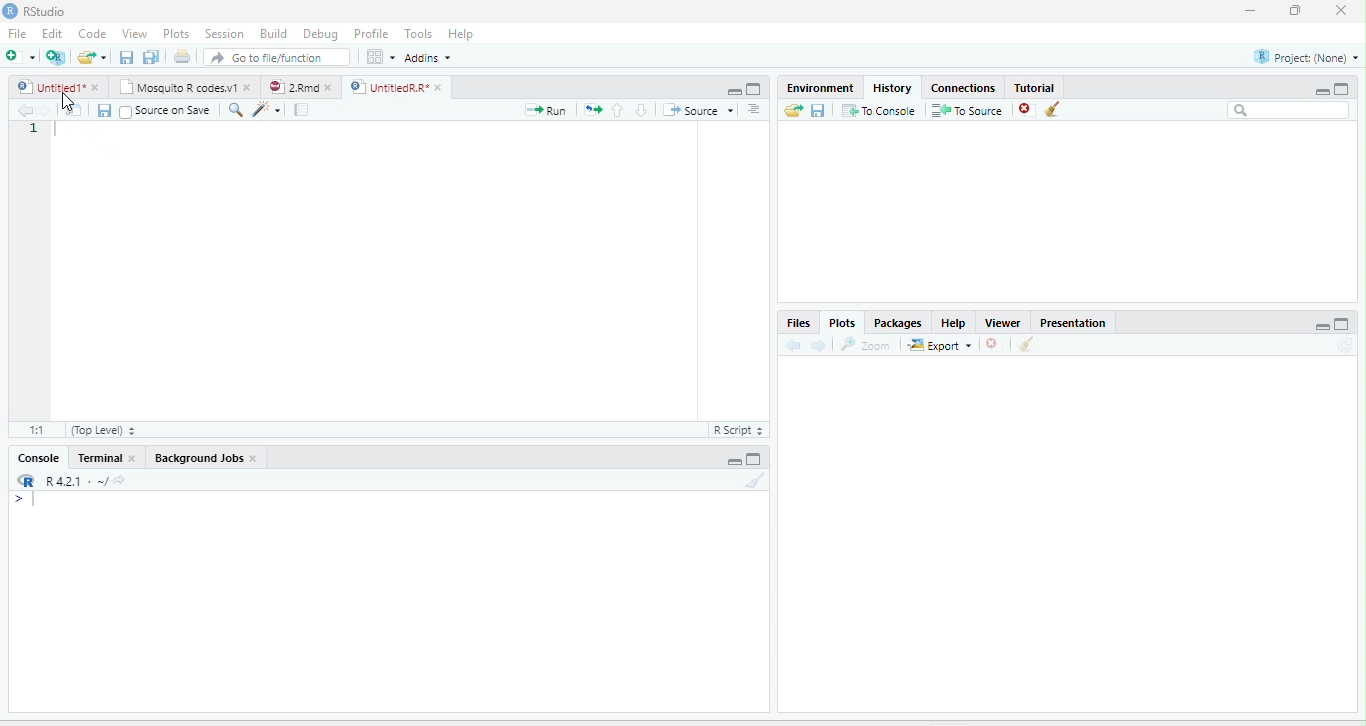 The height and width of the screenshot is (726, 1366). Describe the element at coordinates (236, 110) in the screenshot. I see `Find/Replace` at that location.